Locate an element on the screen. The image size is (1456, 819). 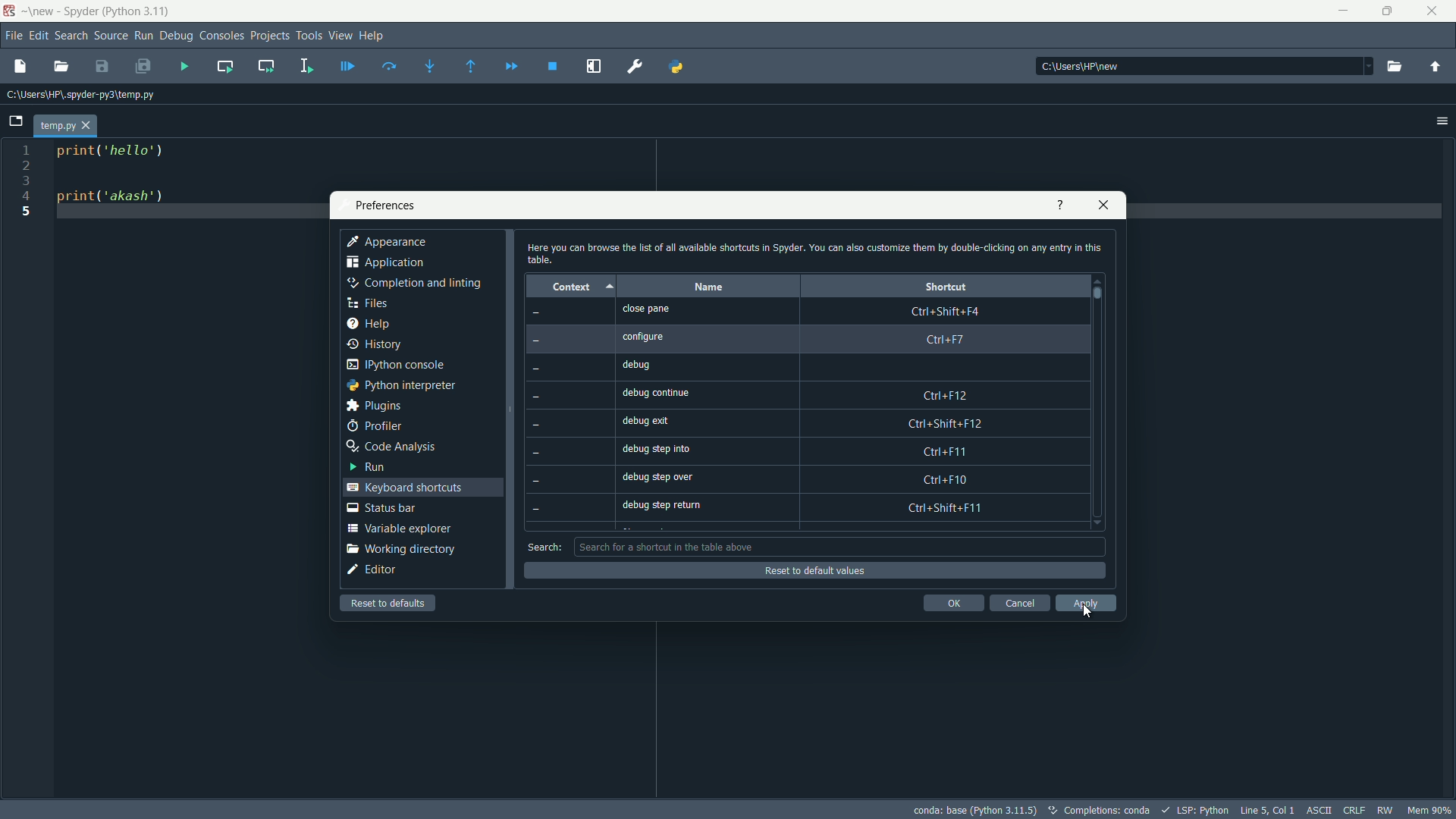
run menu is located at coordinates (143, 36).